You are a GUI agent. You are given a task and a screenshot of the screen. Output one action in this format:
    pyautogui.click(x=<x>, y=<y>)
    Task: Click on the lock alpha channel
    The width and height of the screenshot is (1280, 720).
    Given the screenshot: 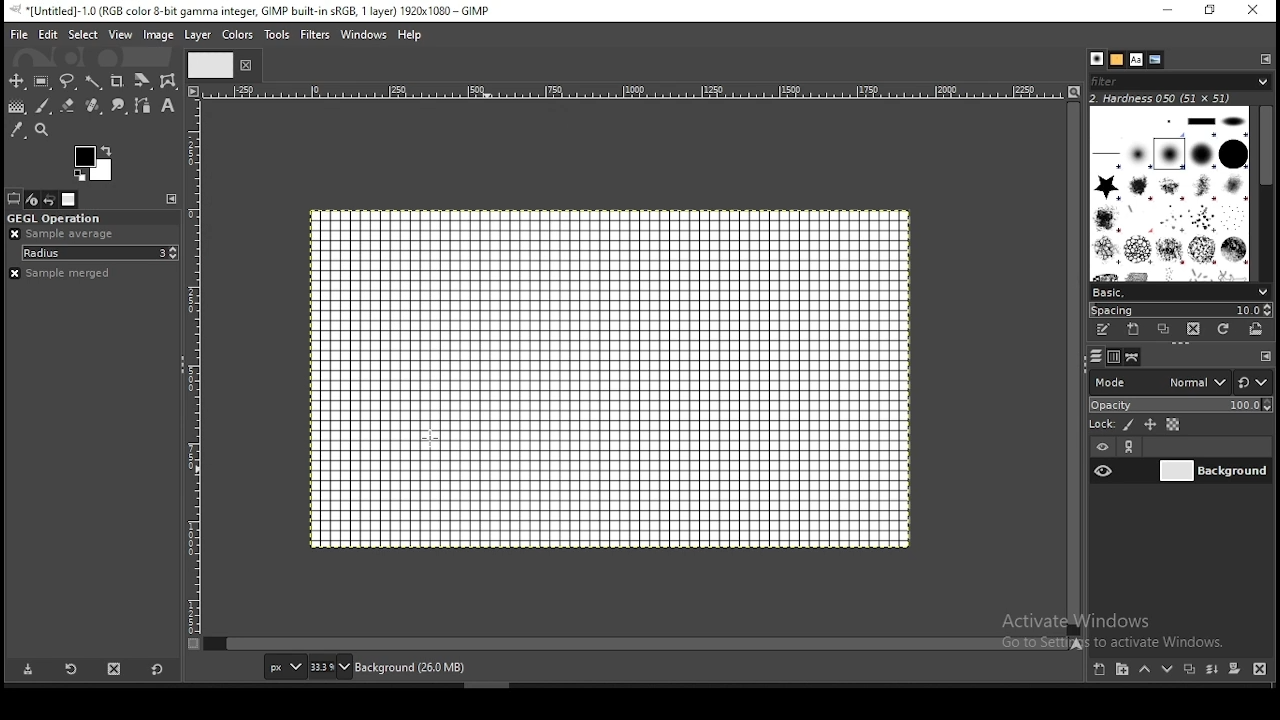 What is the action you would take?
    pyautogui.click(x=1174, y=424)
    